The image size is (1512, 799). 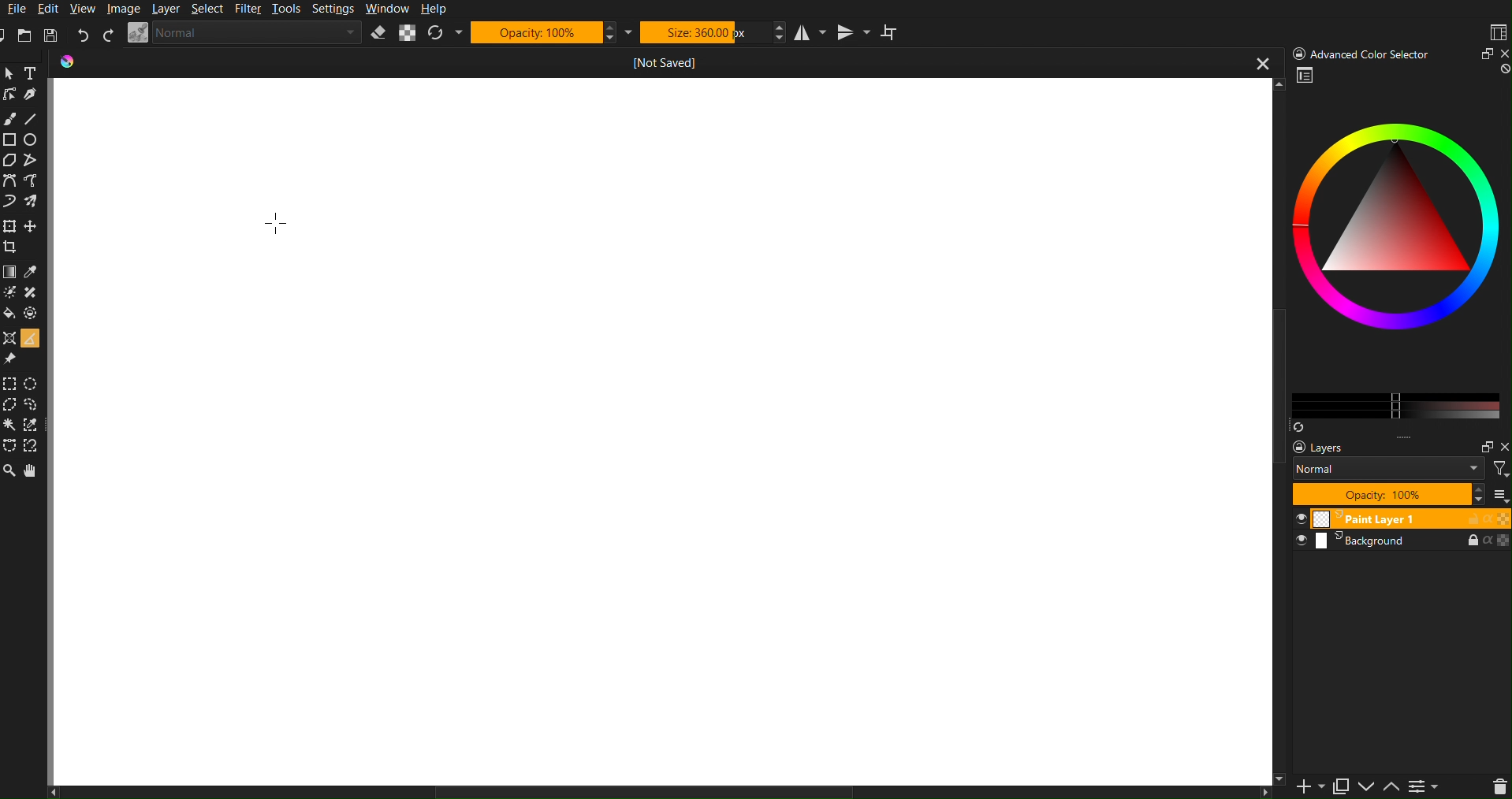 I want to click on Background, so click(x=1401, y=542).